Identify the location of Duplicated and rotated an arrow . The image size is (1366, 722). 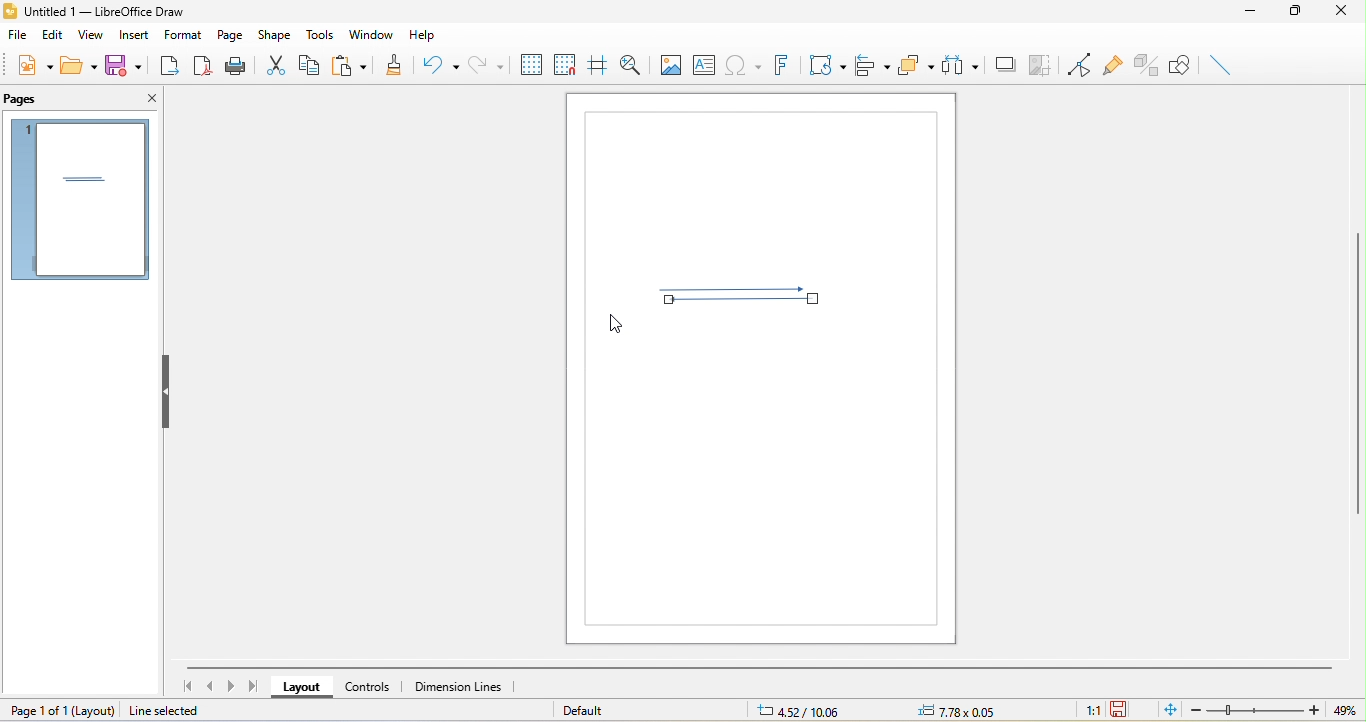
(738, 295).